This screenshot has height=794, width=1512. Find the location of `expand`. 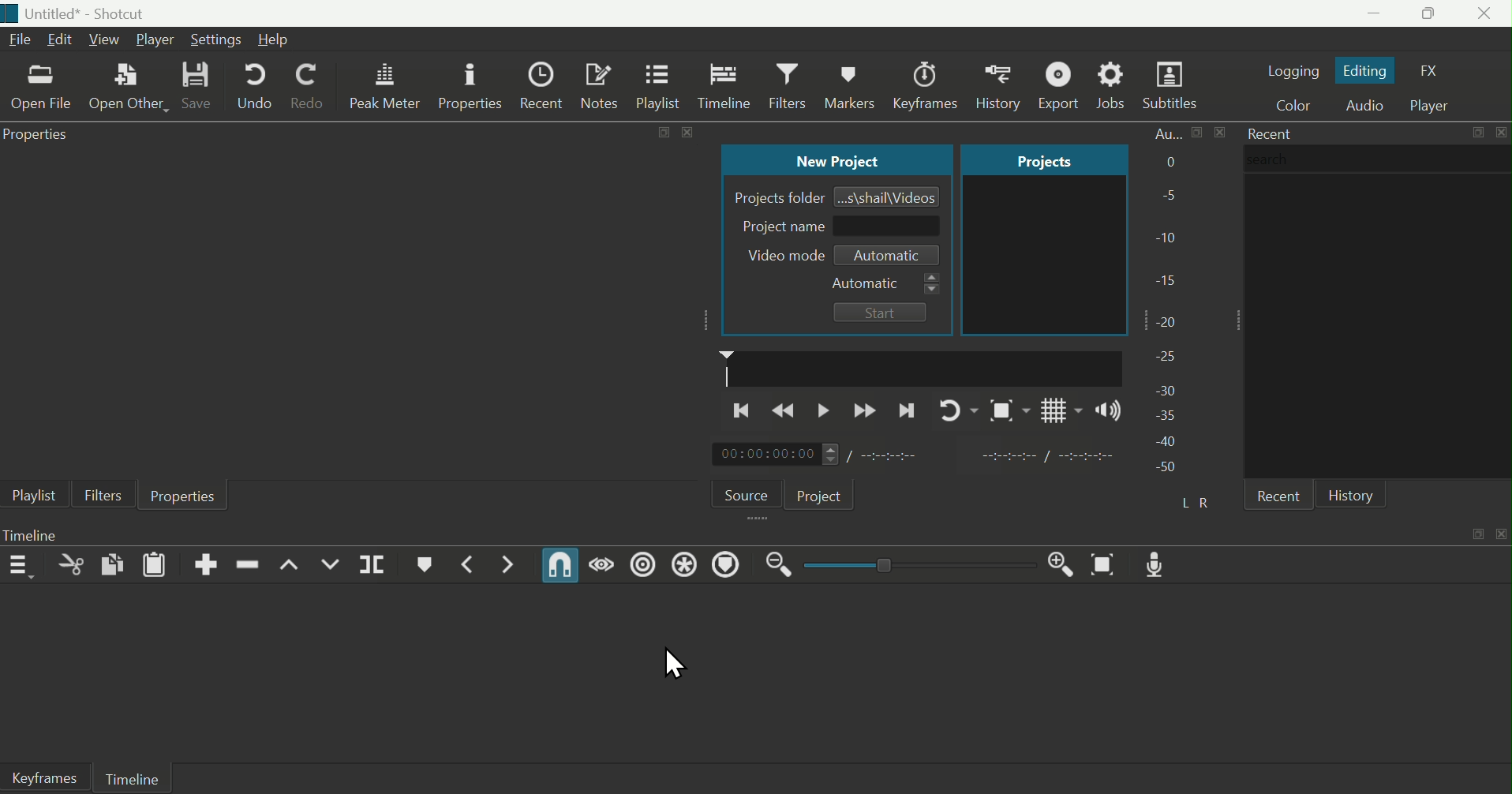

expand is located at coordinates (663, 133).